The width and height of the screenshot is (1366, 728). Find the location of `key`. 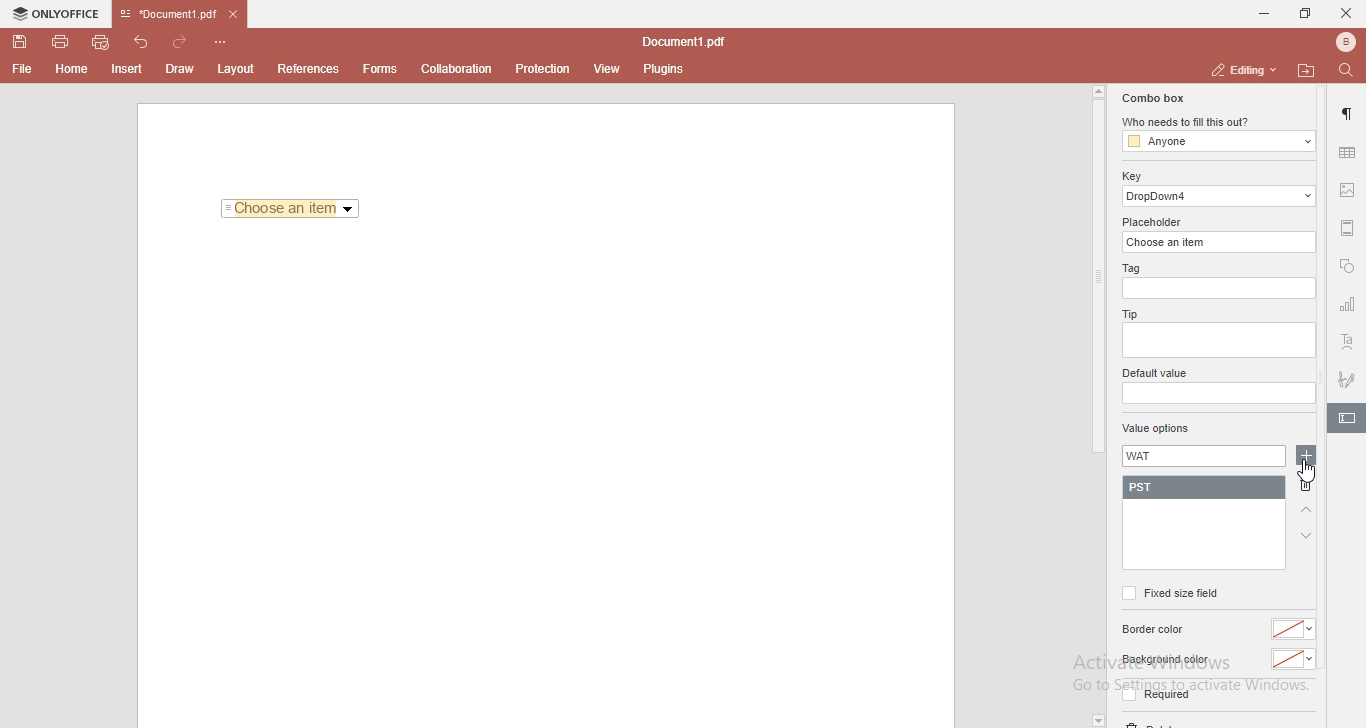

key is located at coordinates (1131, 176).